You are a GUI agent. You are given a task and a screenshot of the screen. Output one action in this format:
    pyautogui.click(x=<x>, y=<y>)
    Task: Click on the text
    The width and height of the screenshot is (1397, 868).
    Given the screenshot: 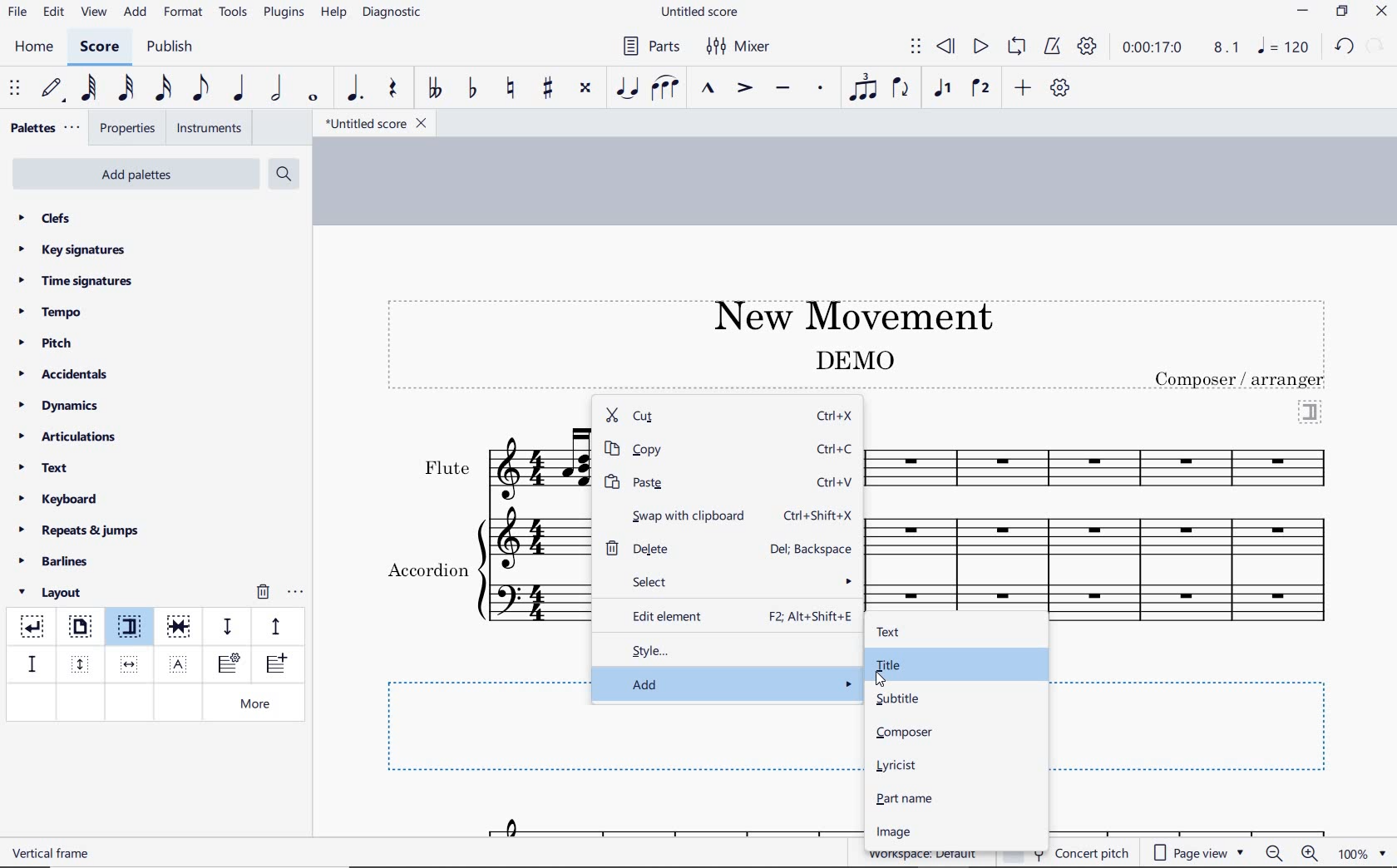 What is the action you would take?
    pyautogui.click(x=53, y=852)
    